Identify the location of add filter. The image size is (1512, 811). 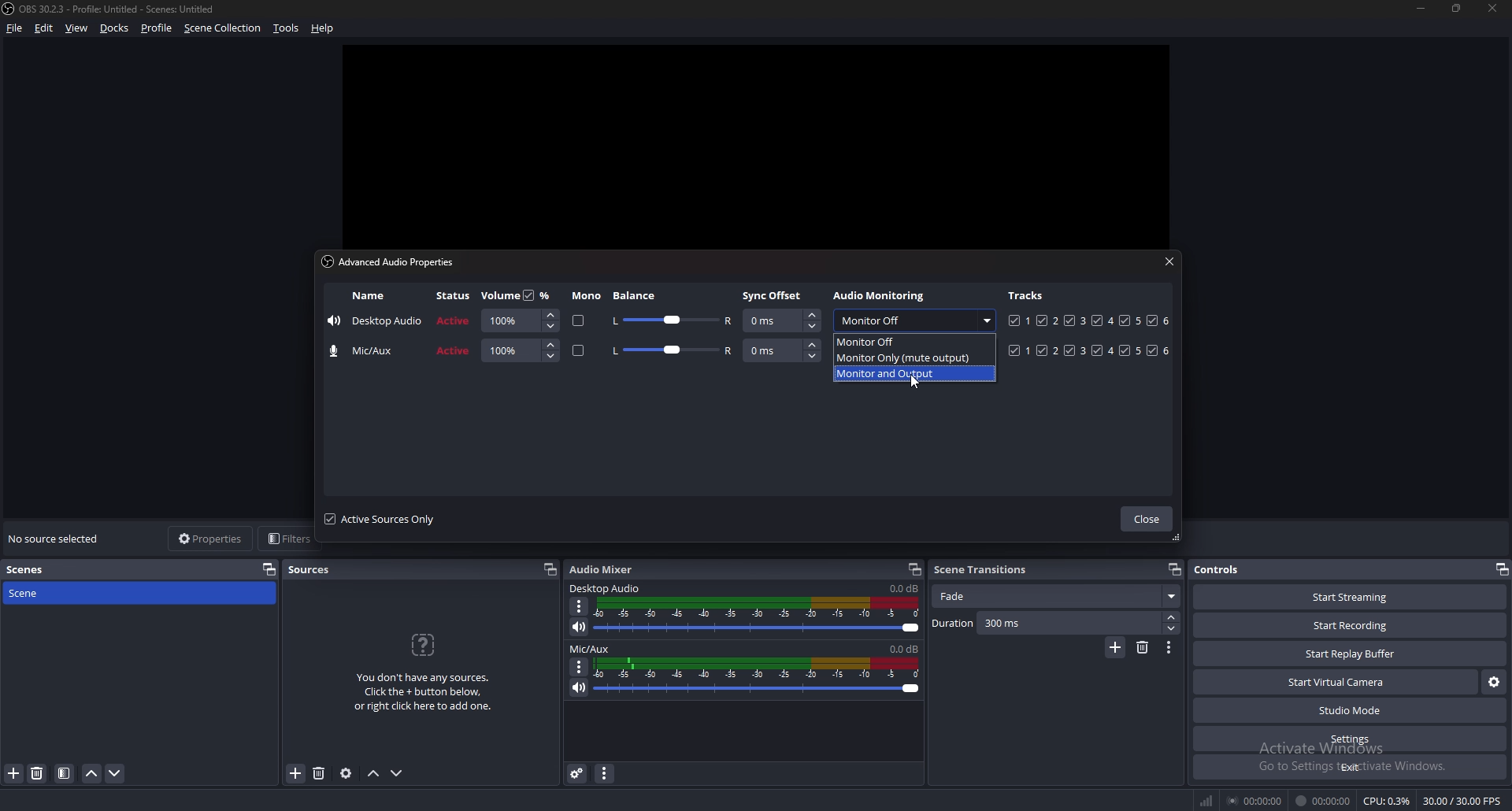
(14, 773).